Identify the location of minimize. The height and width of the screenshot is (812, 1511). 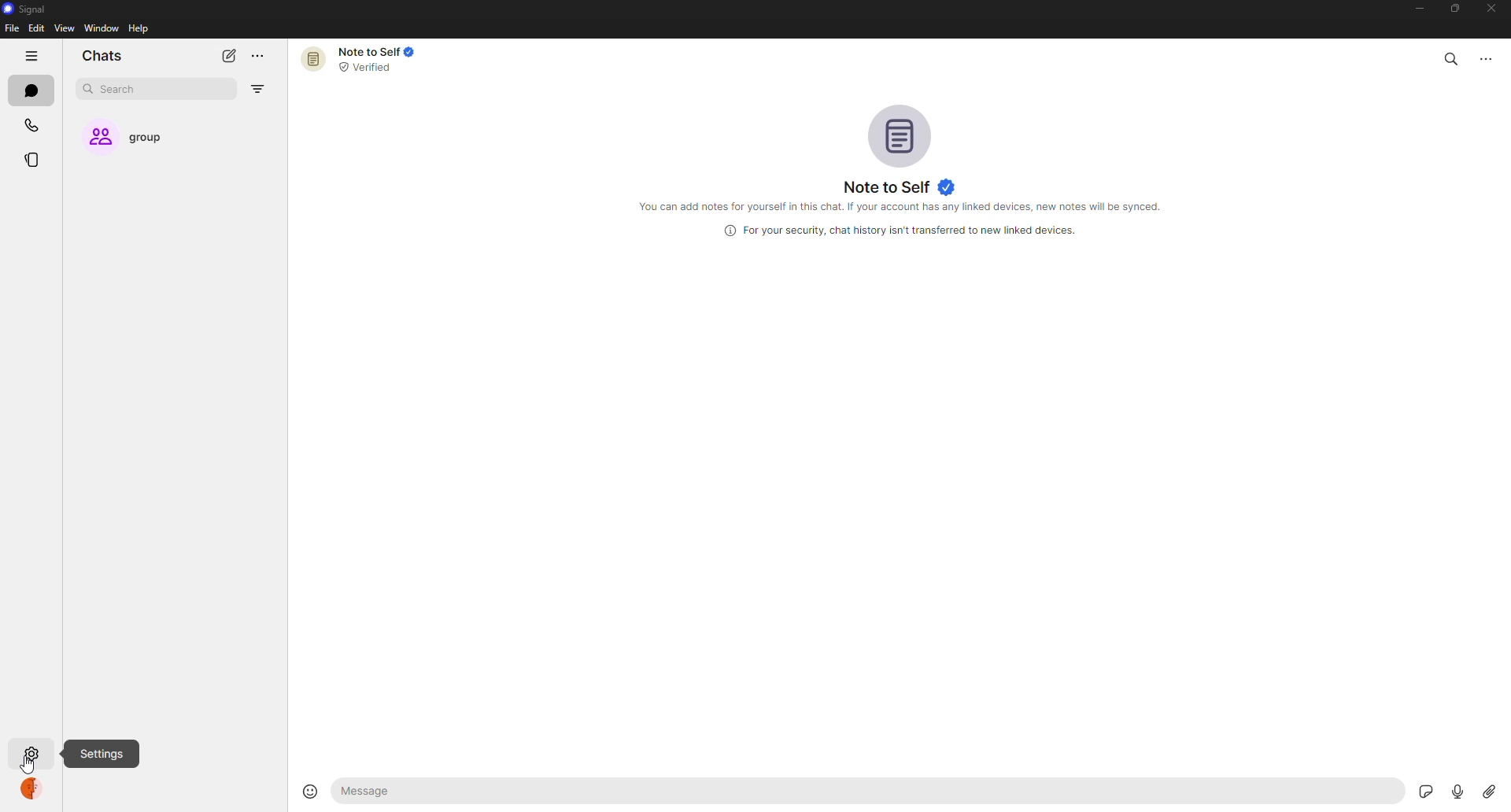
(1412, 10).